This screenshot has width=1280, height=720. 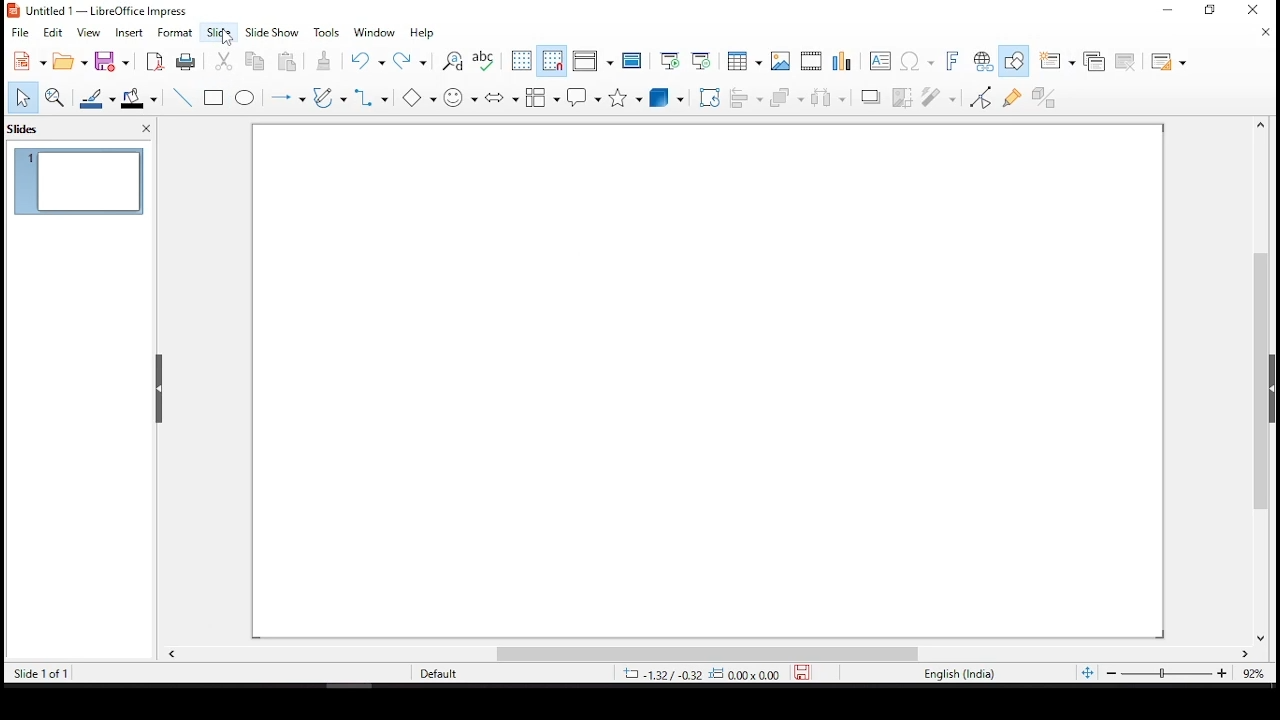 I want to click on stars and banners, so click(x=626, y=96).